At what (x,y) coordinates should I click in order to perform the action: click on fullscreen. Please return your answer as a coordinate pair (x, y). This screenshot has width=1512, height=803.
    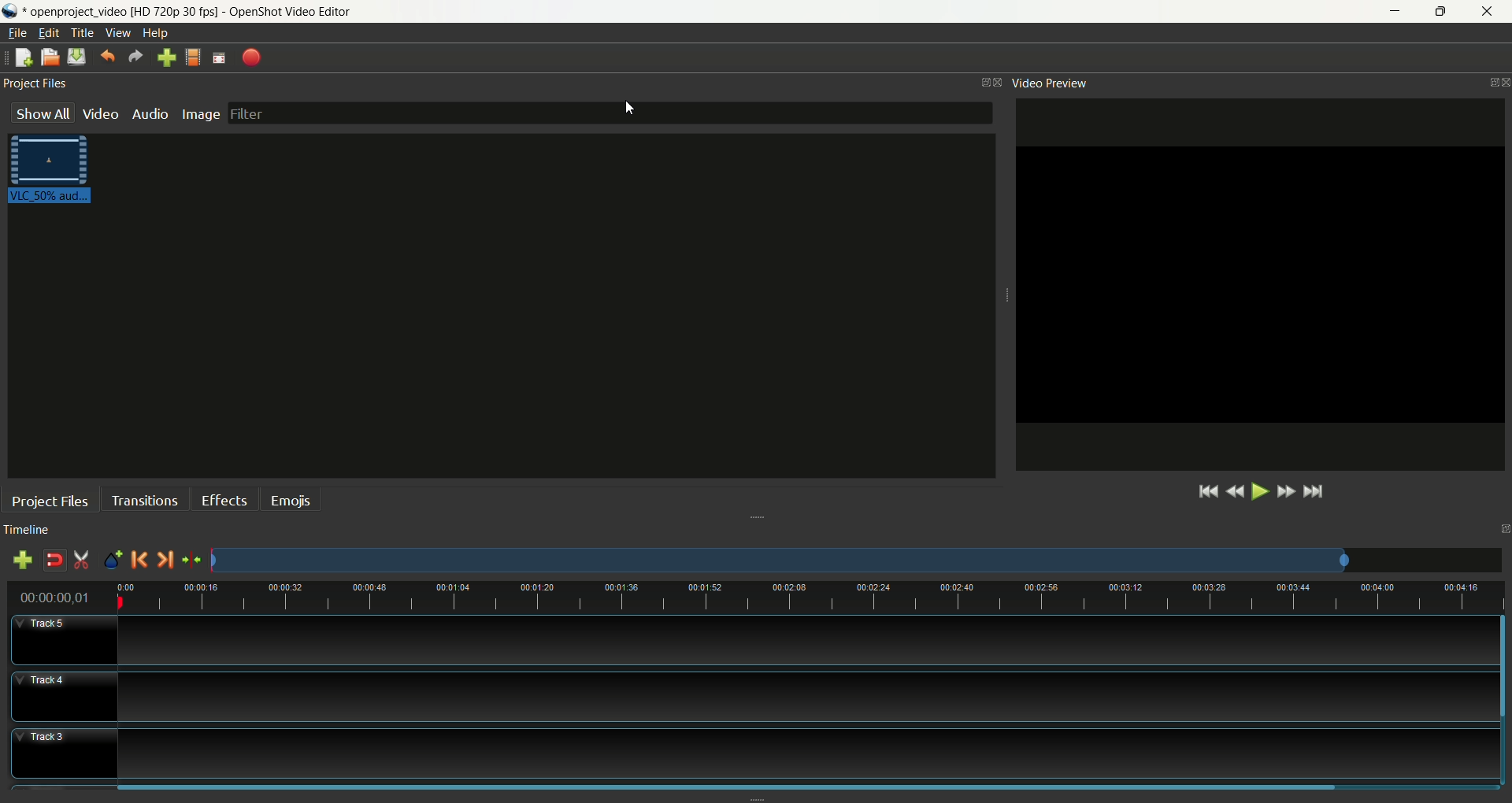
    Looking at the image, I should click on (217, 58).